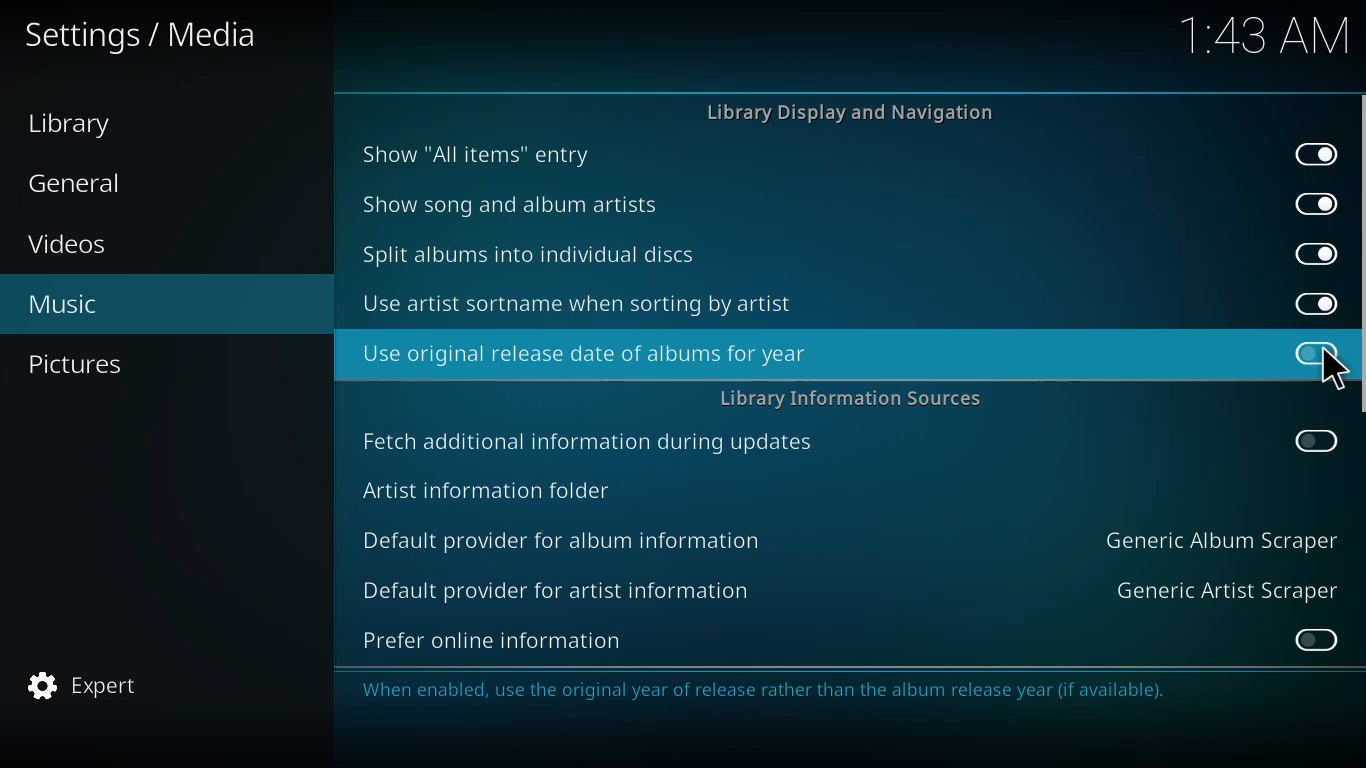 The image size is (1366, 768). Describe the element at coordinates (85, 182) in the screenshot. I see `general` at that location.